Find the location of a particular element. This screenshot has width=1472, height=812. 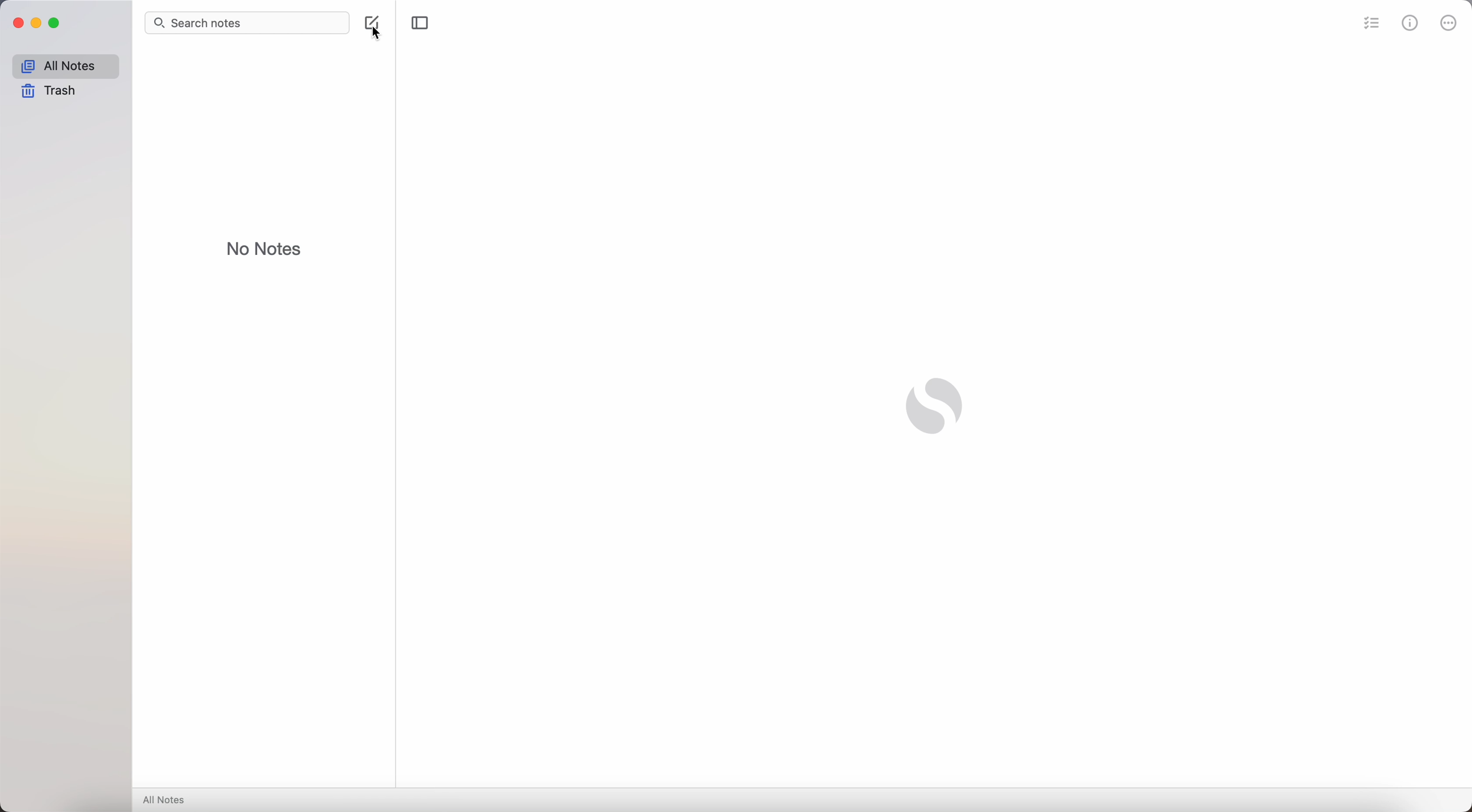

minimize is located at coordinates (39, 23).